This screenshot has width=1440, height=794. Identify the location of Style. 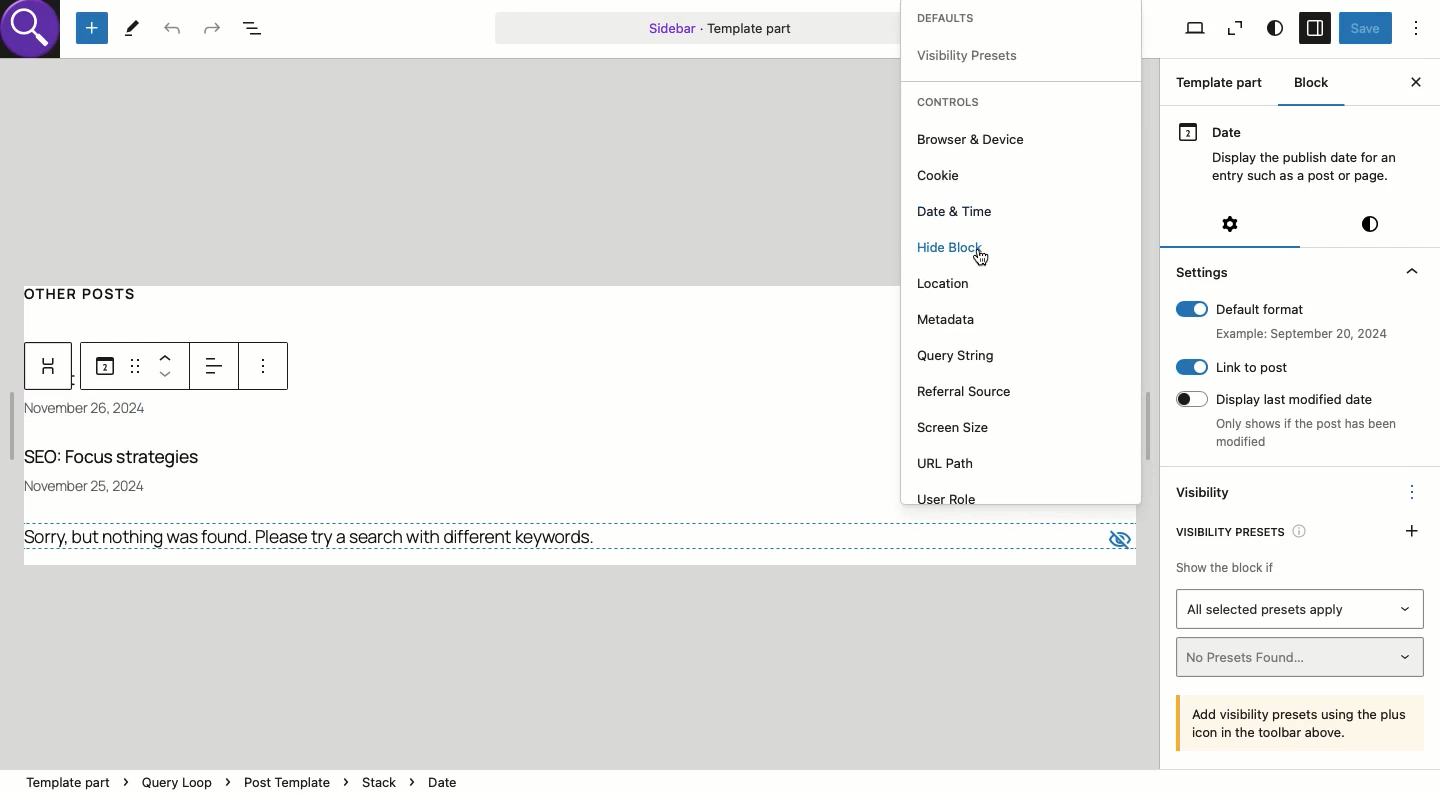
(1370, 224).